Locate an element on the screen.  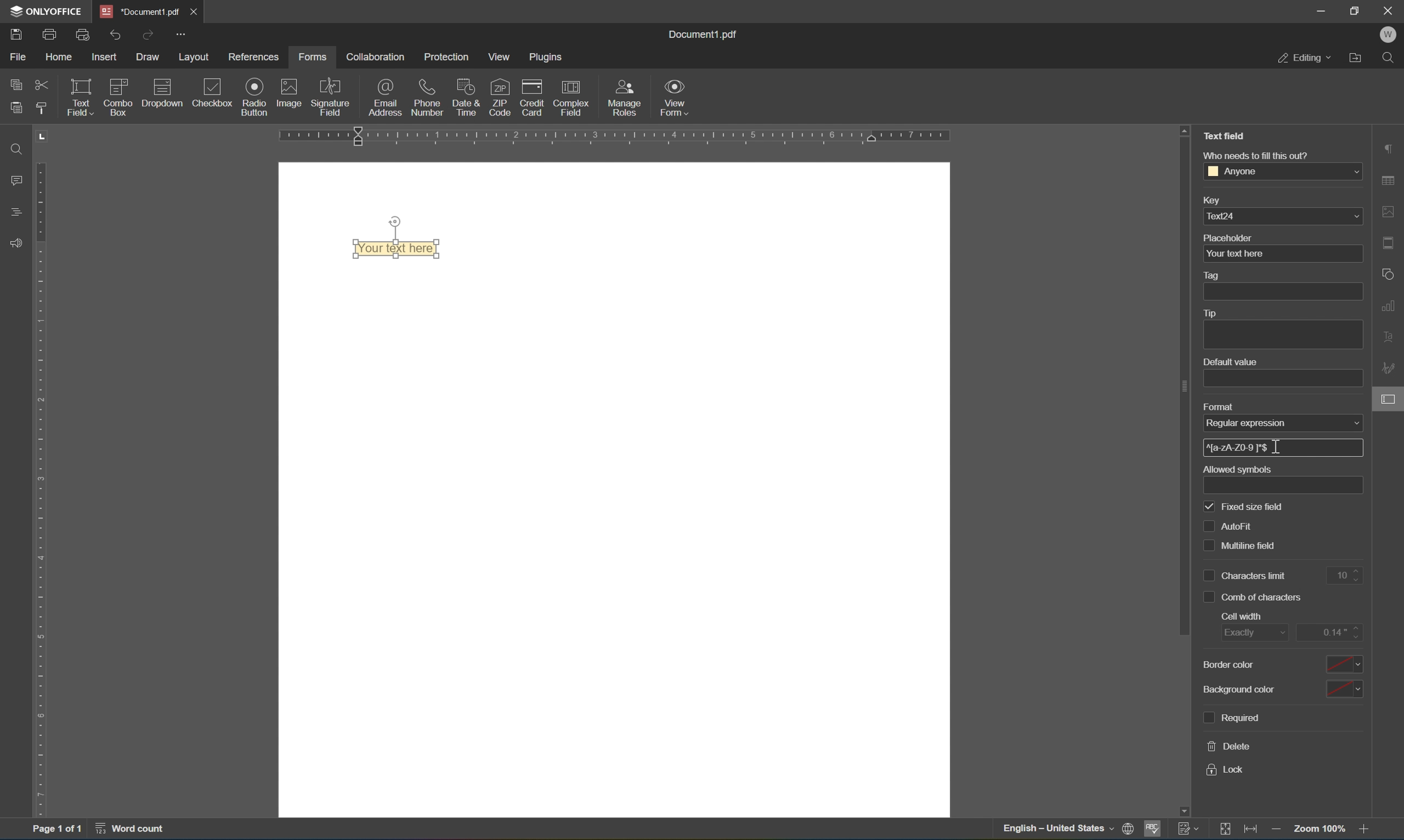
close is located at coordinates (192, 11).